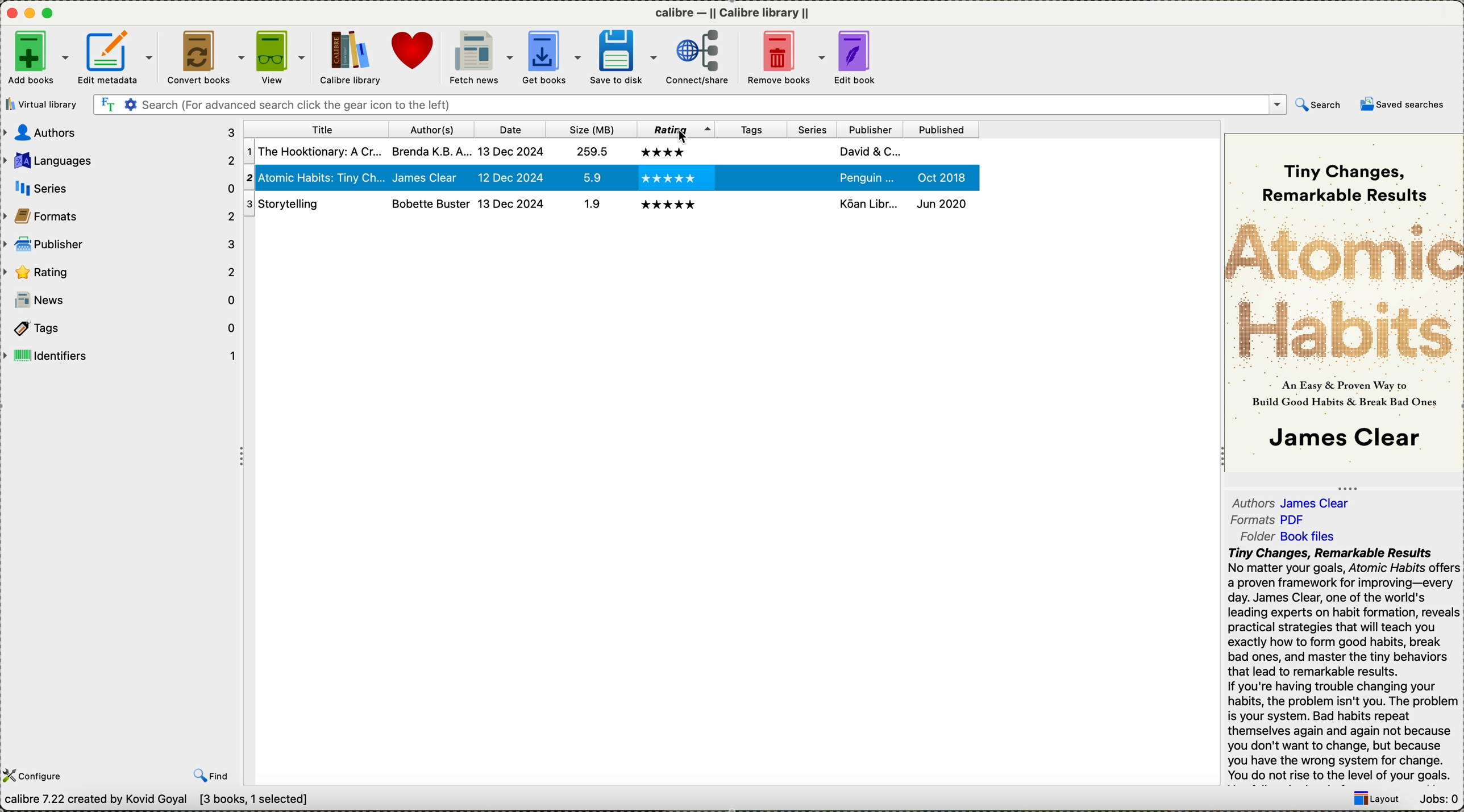 This screenshot has height=812, width=1464. I want to click on PDF, so click(1300, 519).